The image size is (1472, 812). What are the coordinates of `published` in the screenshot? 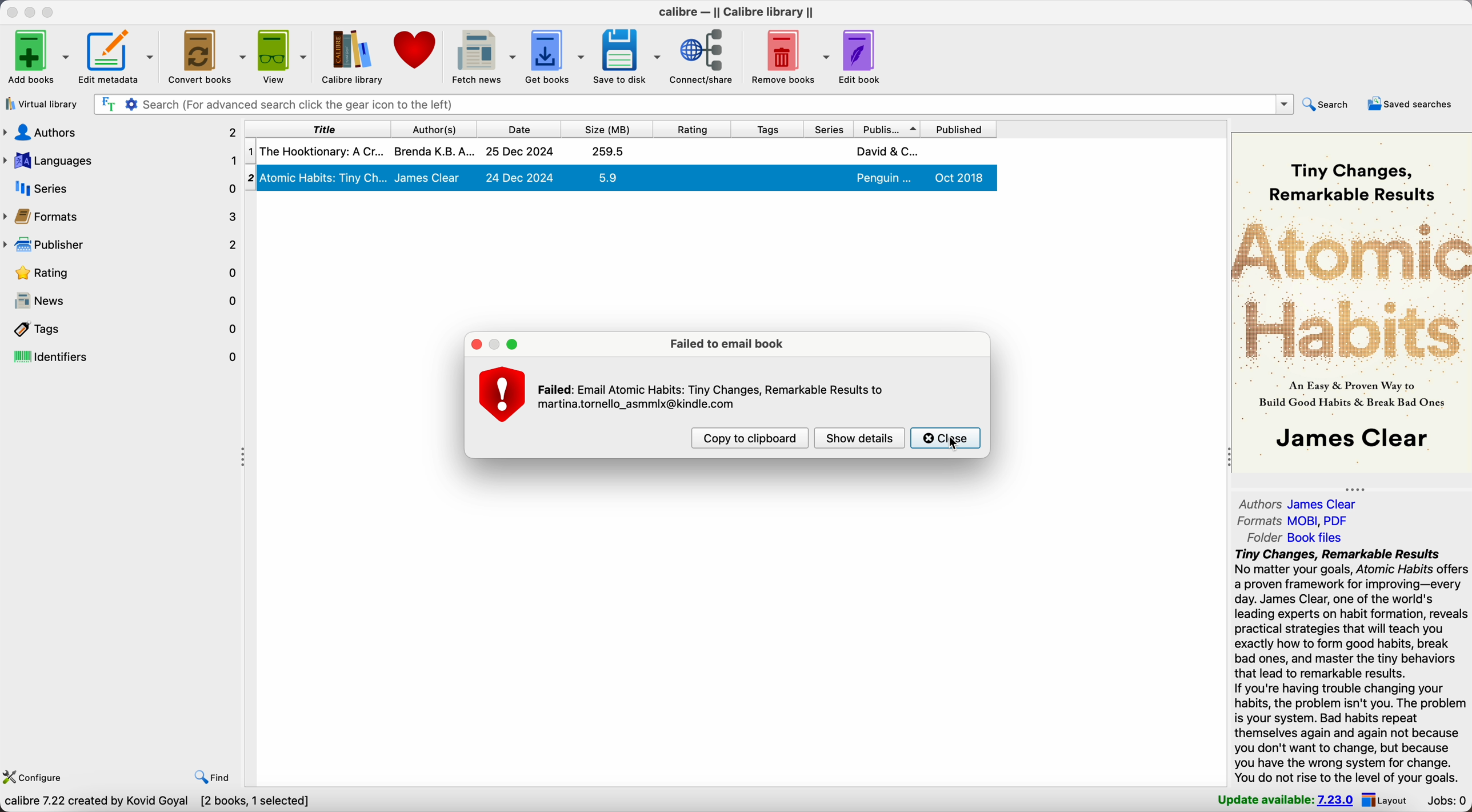 It's located at (963, 128).